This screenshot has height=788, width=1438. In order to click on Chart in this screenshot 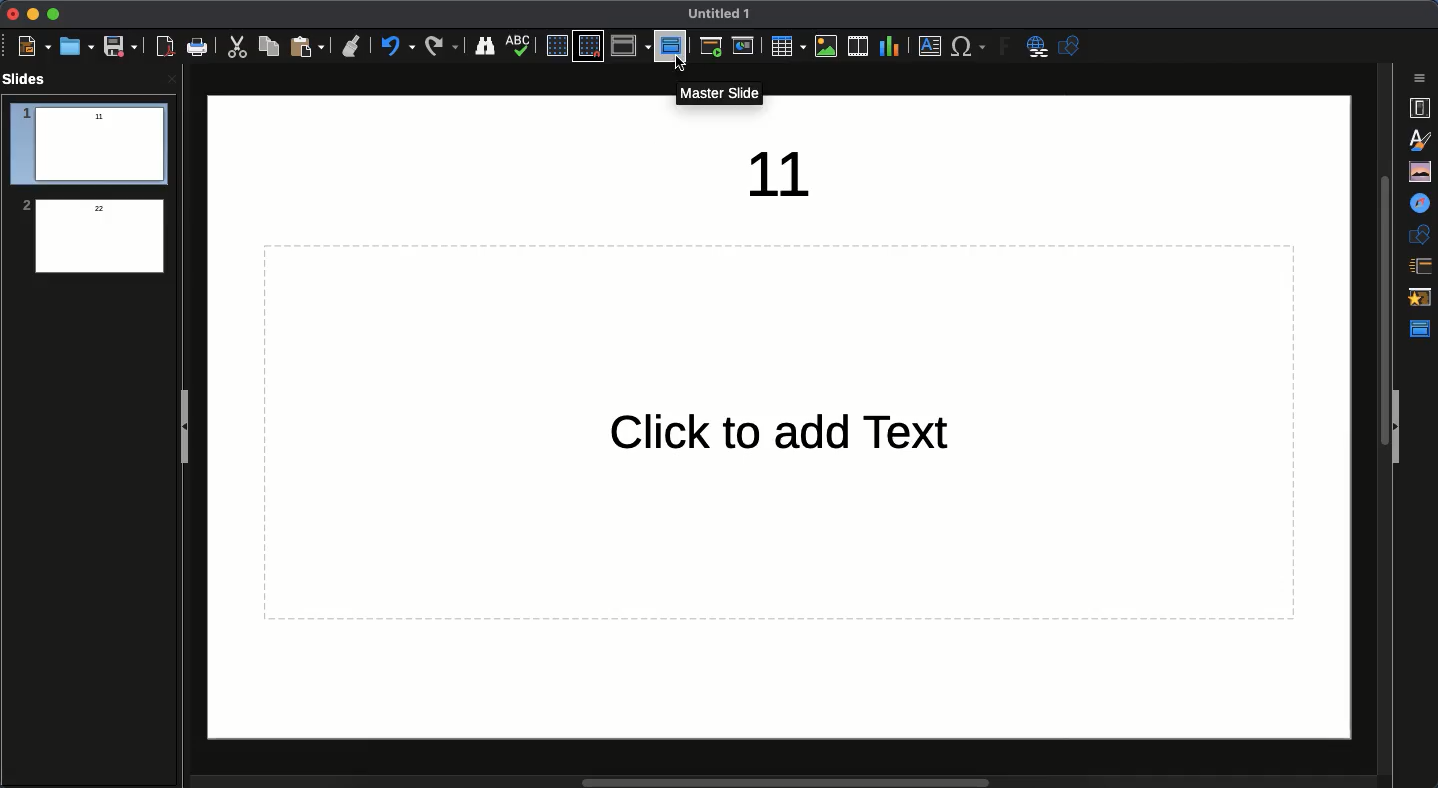, I will do `click(889, 45)`.